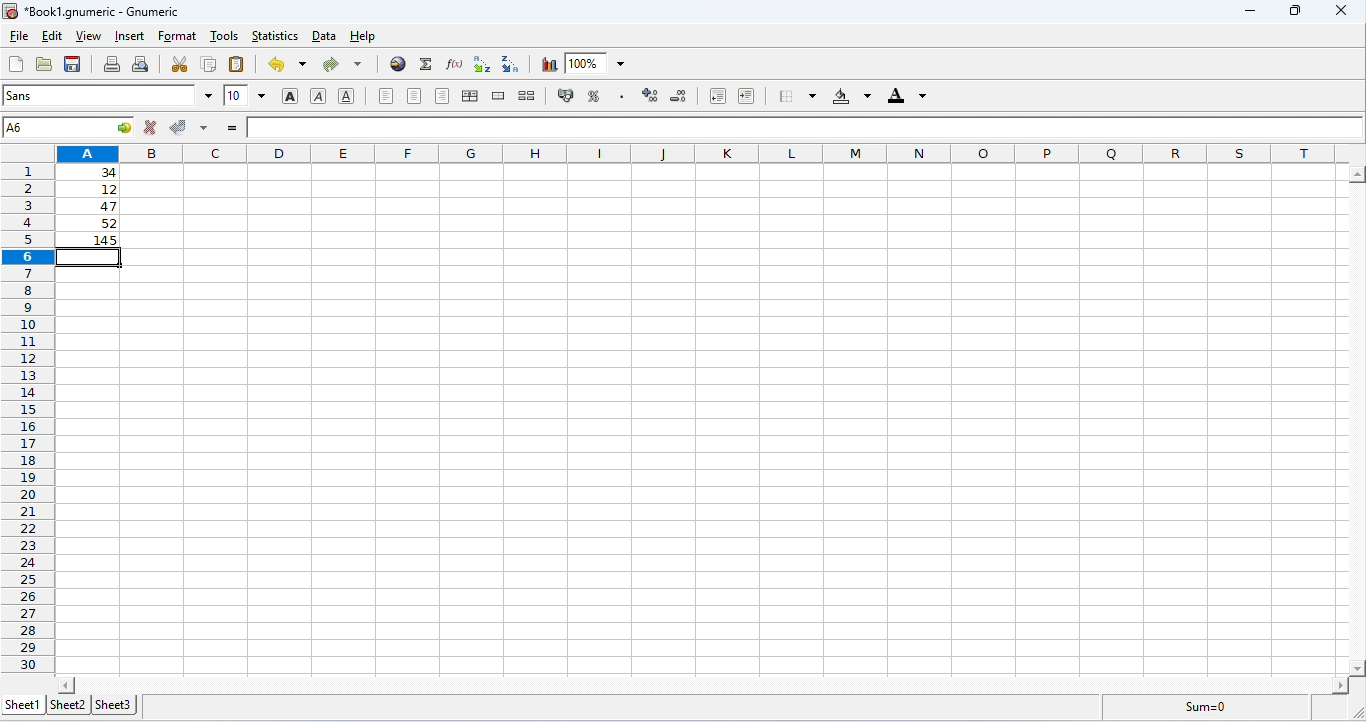 The height and width of the screenshot is (722, 1366). Describe the element at coordinates (90, 240) in the screenshot. I see `sum of column of numbers.` at that location.